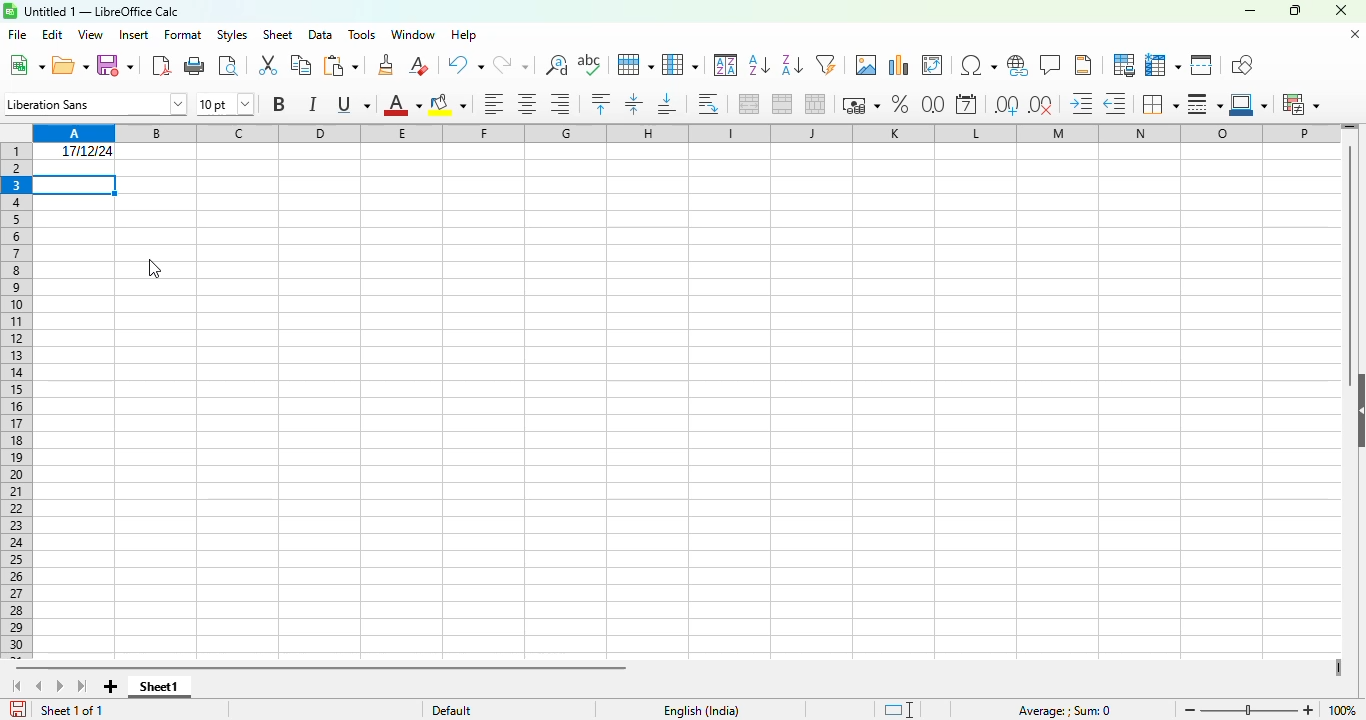  I want to click on center vertically, so click(633, 104).